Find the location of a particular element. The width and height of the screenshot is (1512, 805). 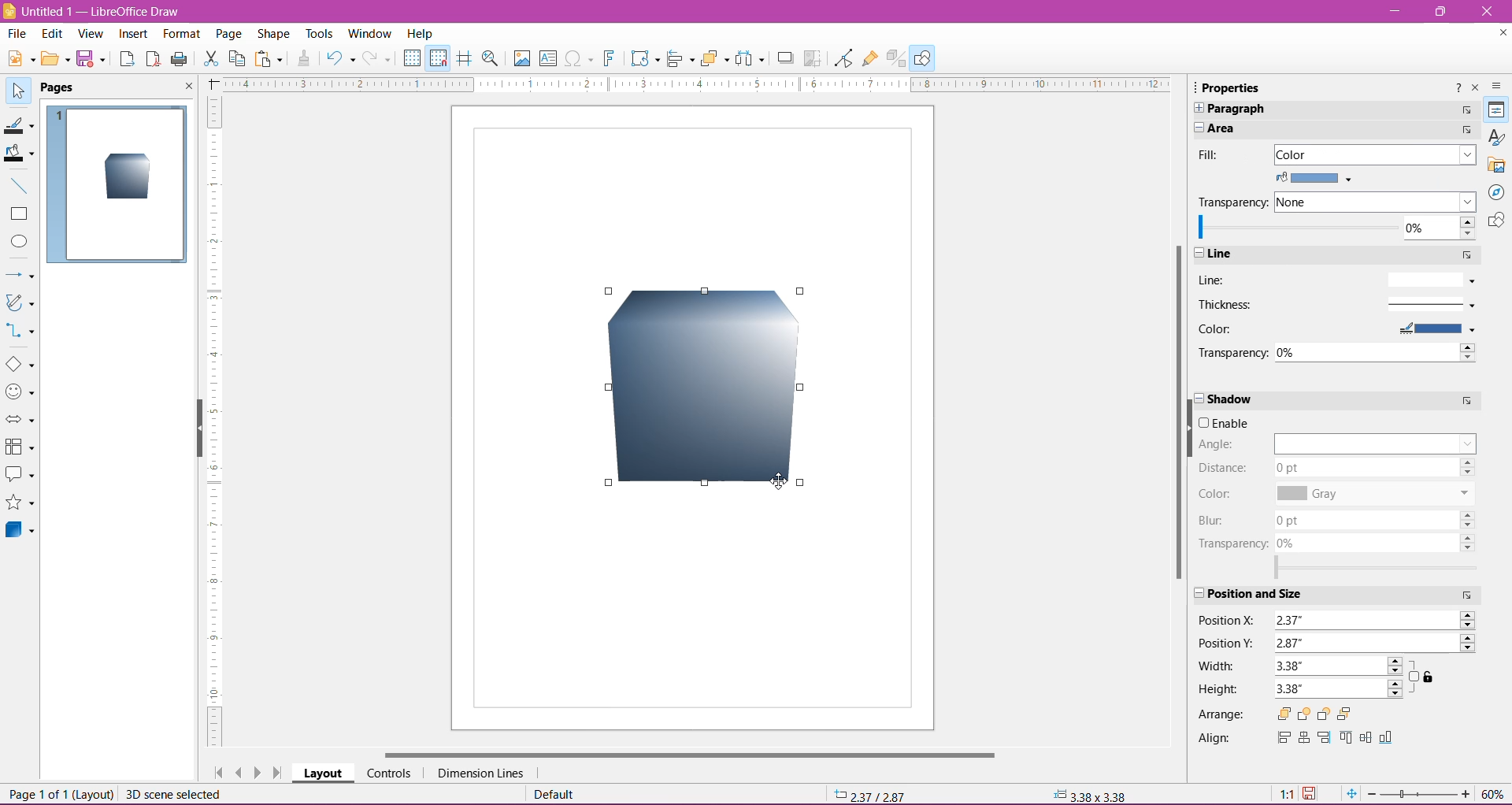

Export is located at coordinates (127, 60).